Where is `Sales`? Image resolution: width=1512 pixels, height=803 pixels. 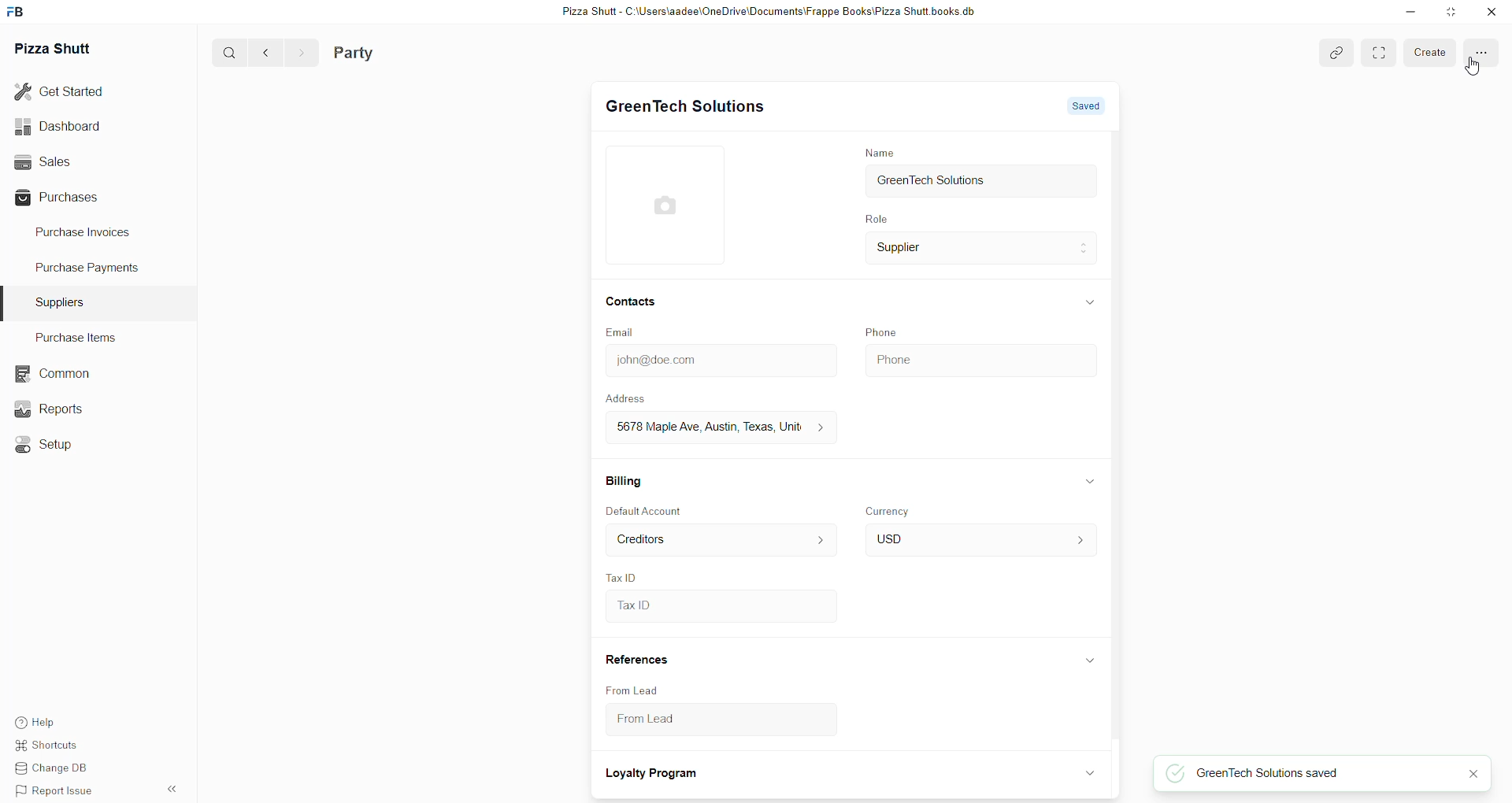 Sales is located at coordinates (76, 161).